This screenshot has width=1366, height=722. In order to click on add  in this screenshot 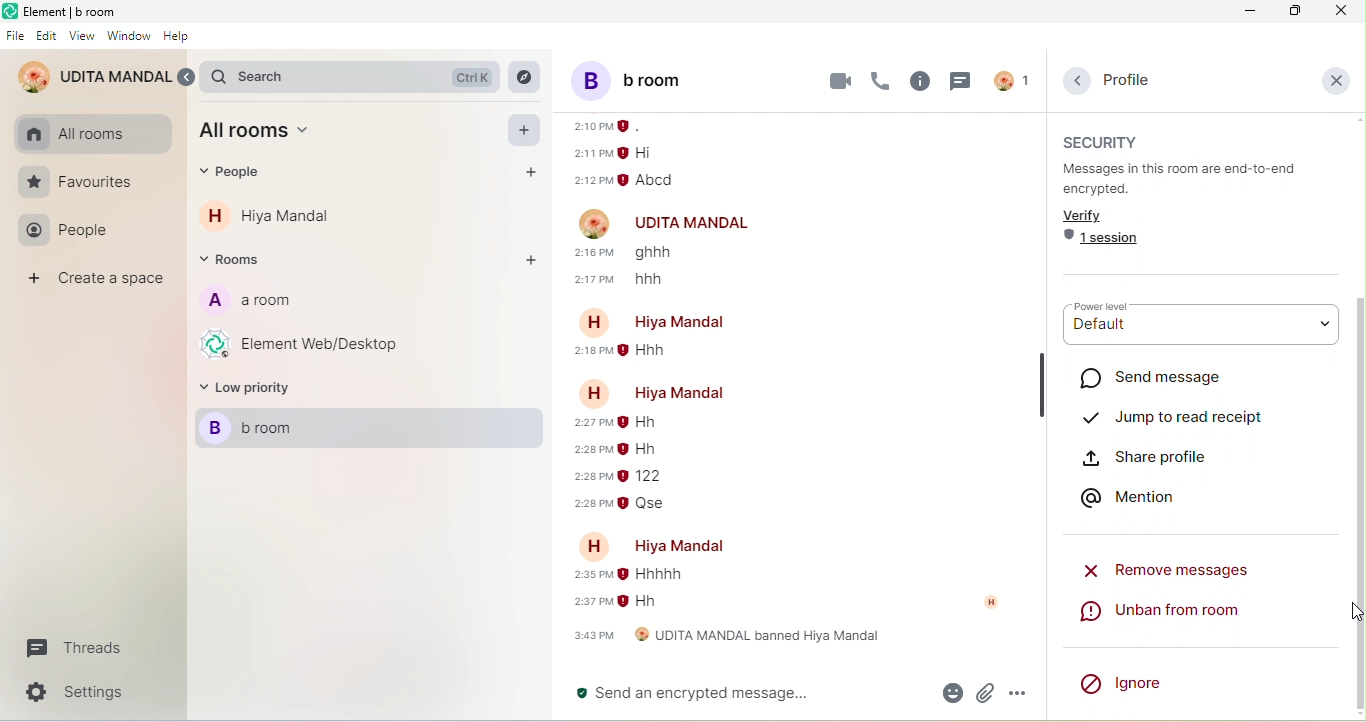, I will do `click(527, 130)`.